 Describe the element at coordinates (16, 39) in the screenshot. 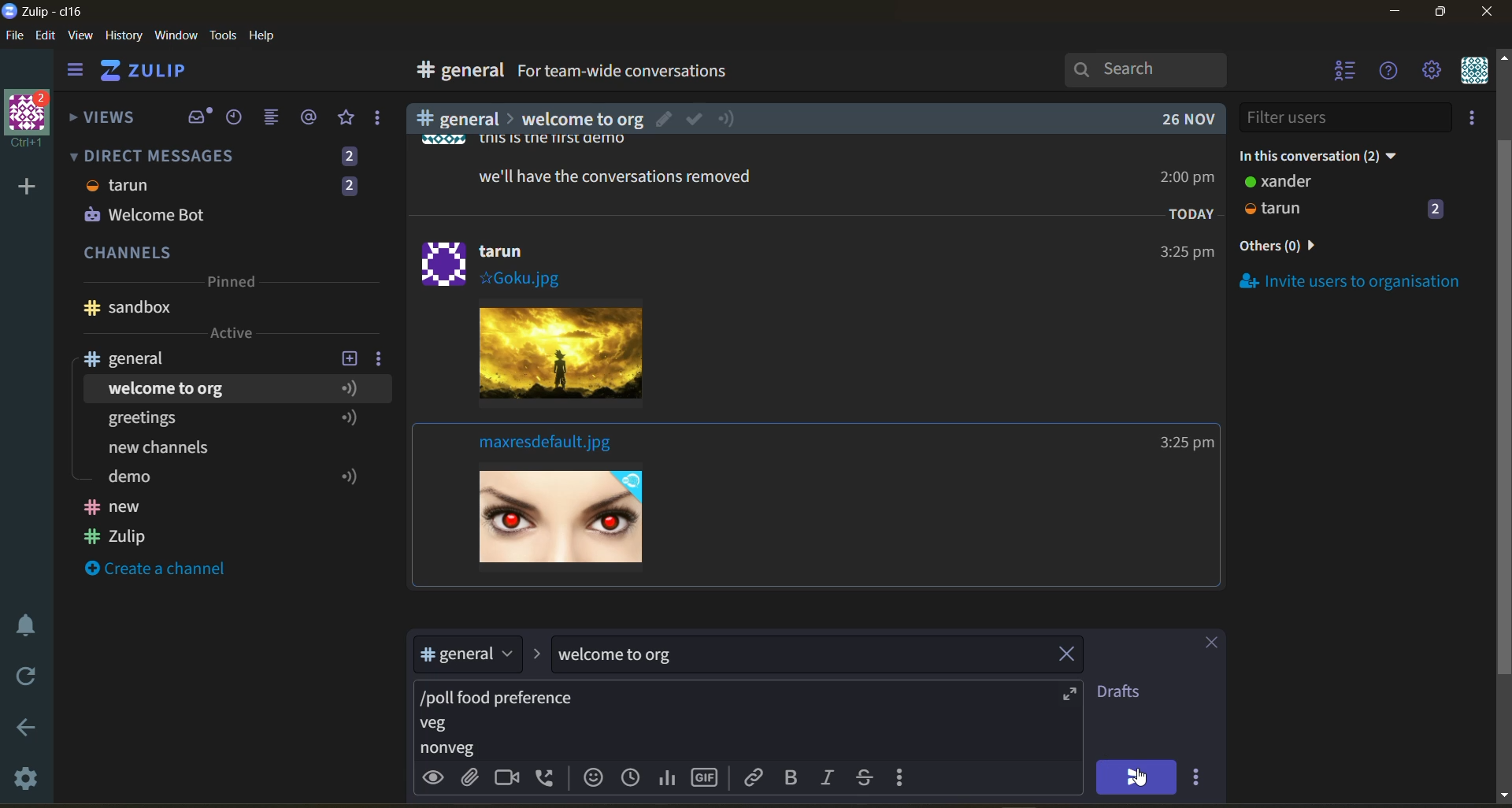

I see `file` at that location.